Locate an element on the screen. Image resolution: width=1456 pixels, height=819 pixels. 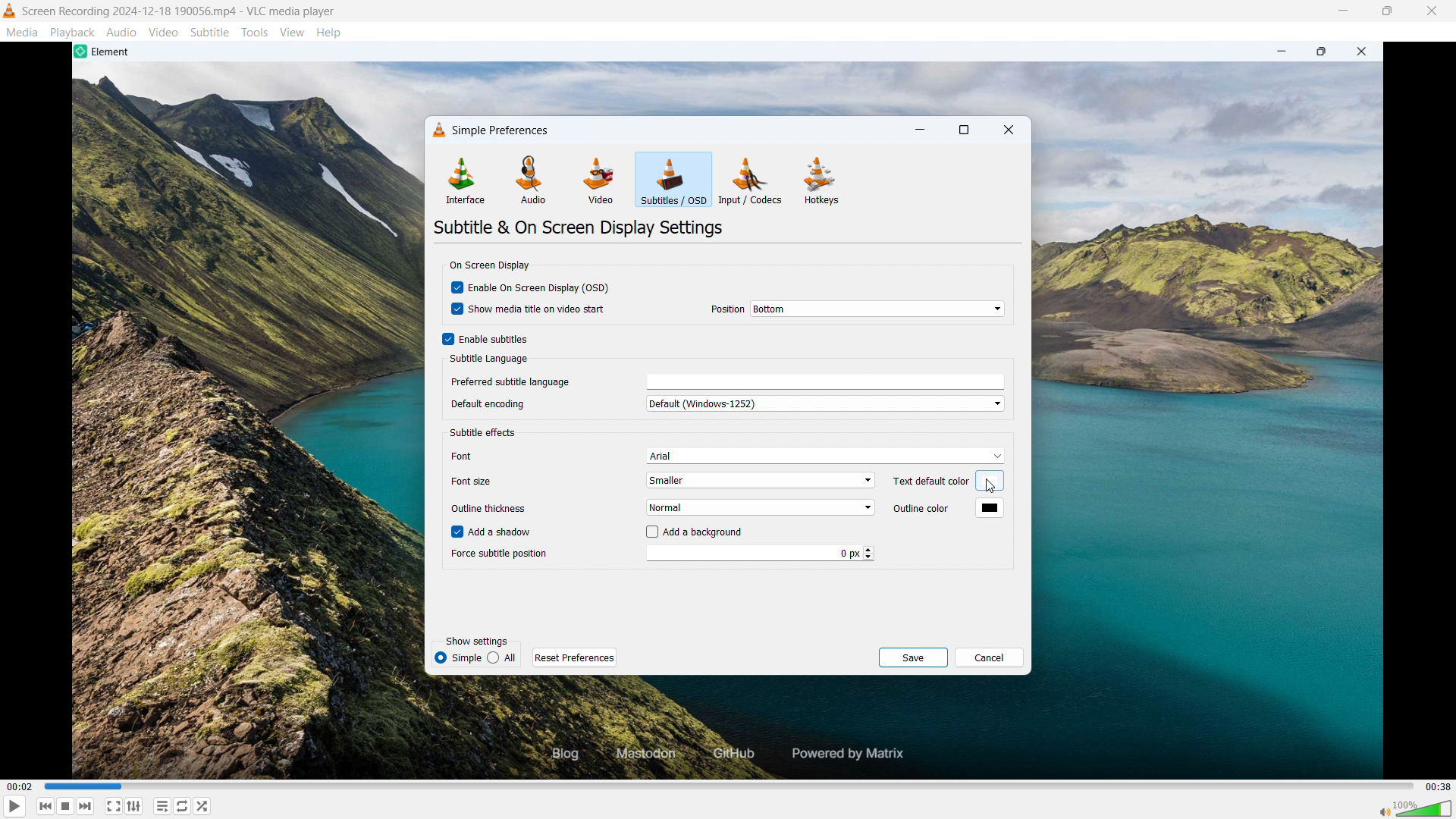
Media  is located at coordinates (22, 33).